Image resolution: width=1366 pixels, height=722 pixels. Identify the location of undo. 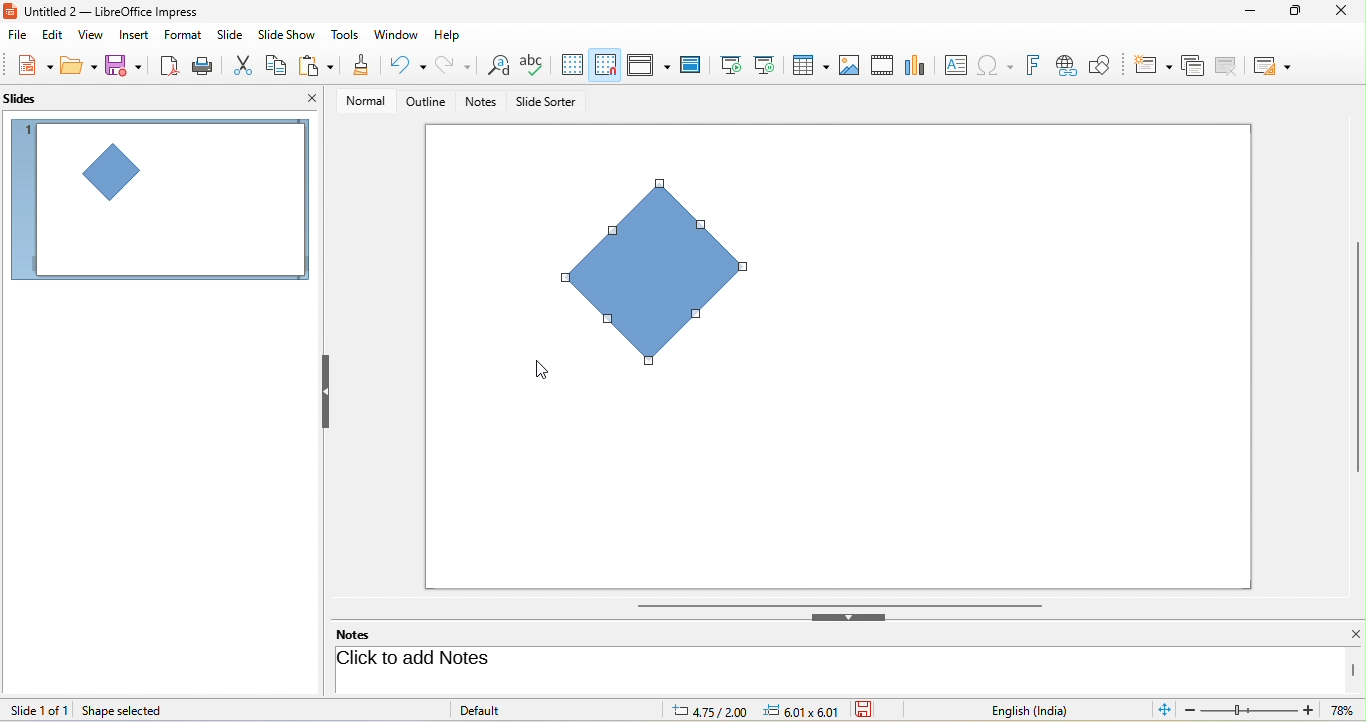
(410, 65).